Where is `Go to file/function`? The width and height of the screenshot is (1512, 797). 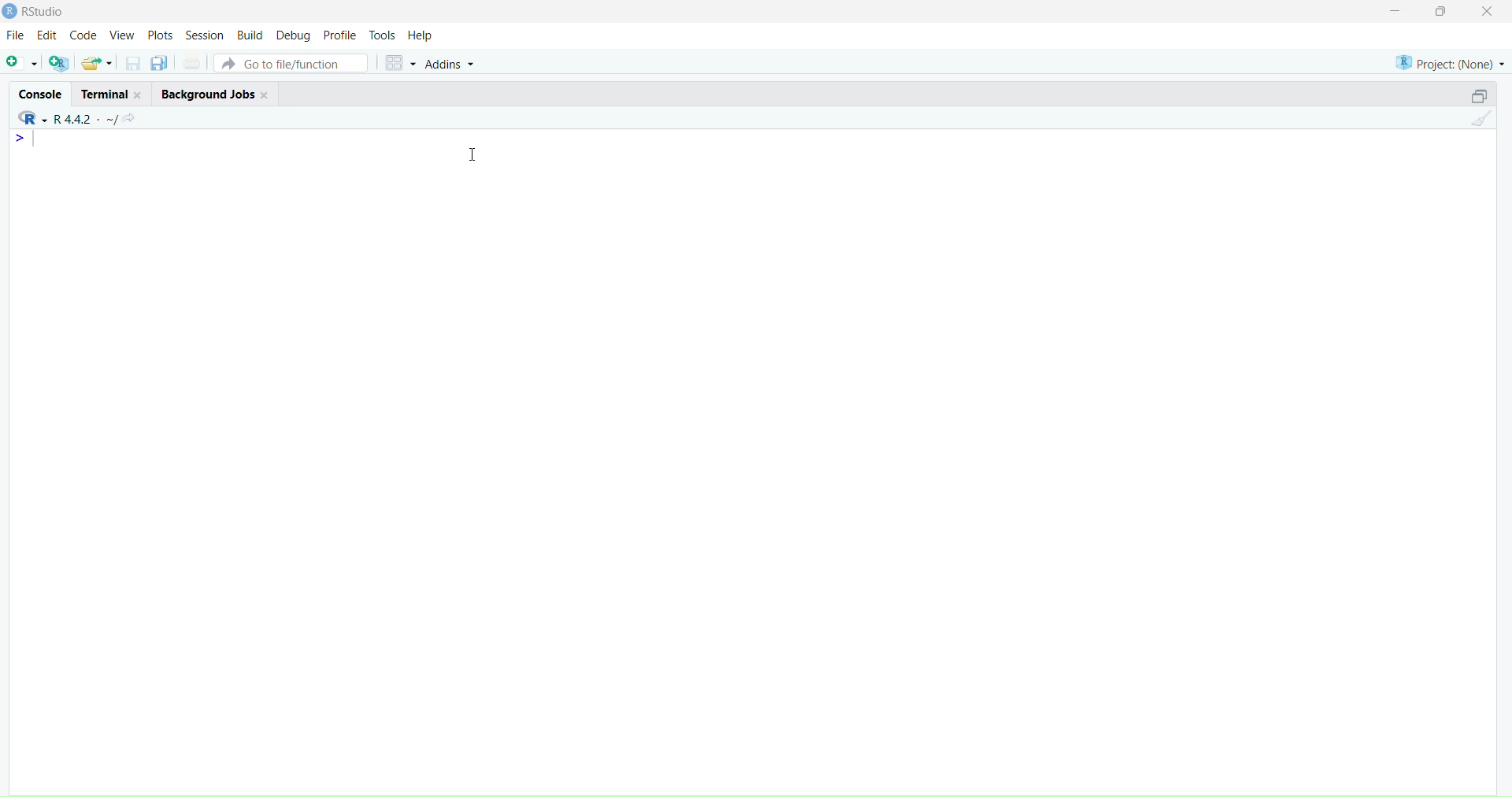
Go to file/function is located at coordinates (292, 63).